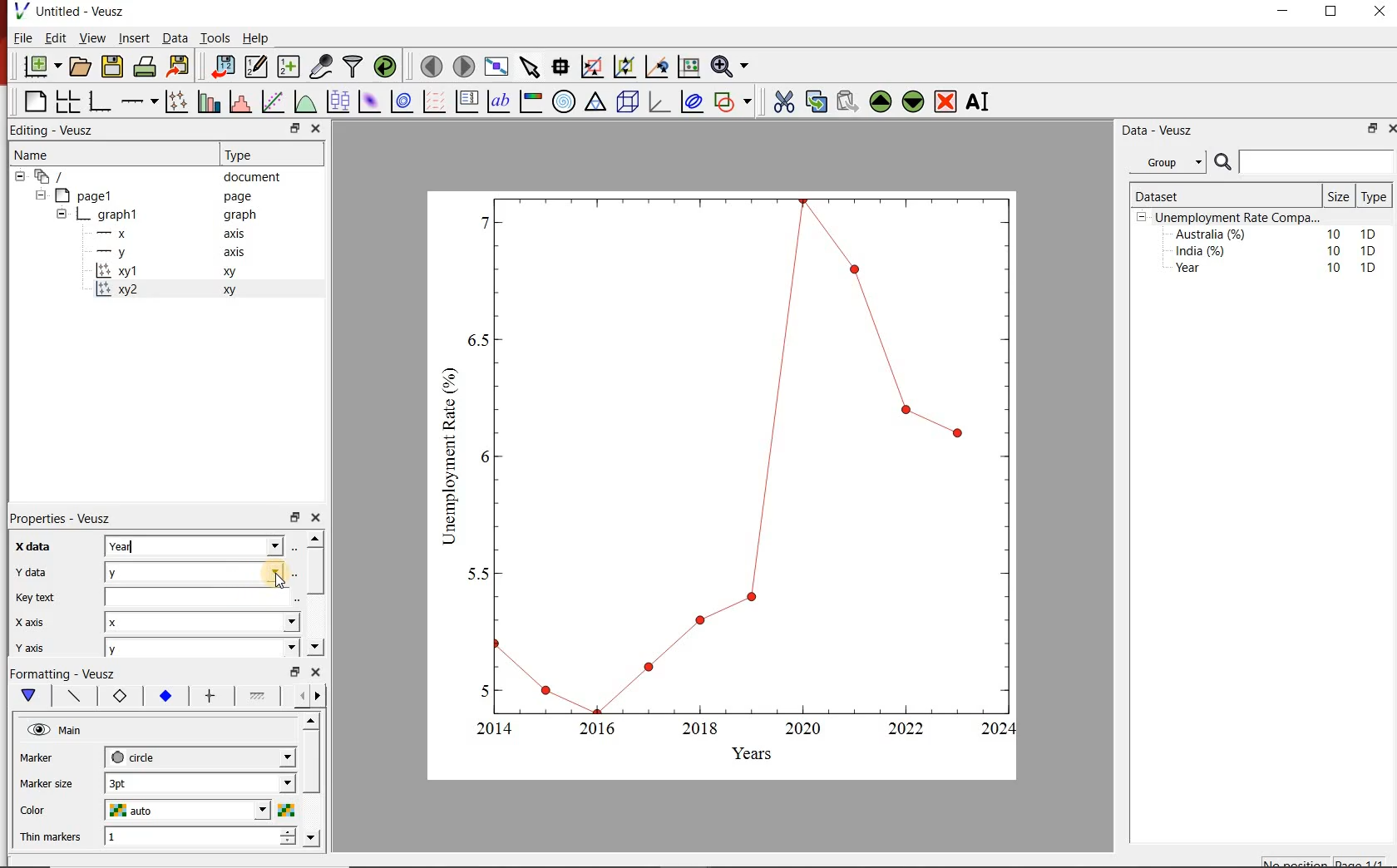 The width and height of the screenshot is (1397, 868). I want to click on y, so click(198, 649).